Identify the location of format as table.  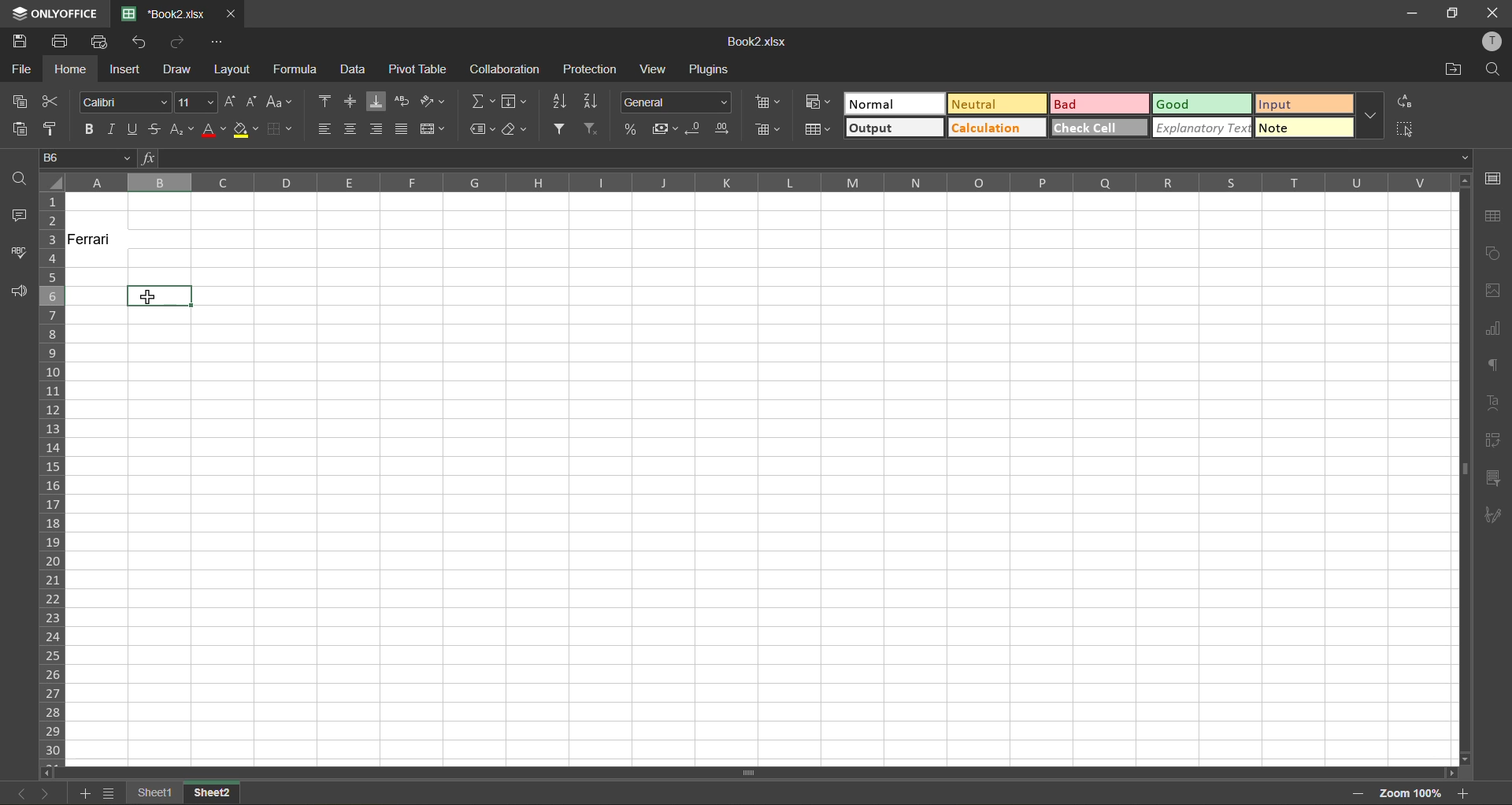
(817, 131).